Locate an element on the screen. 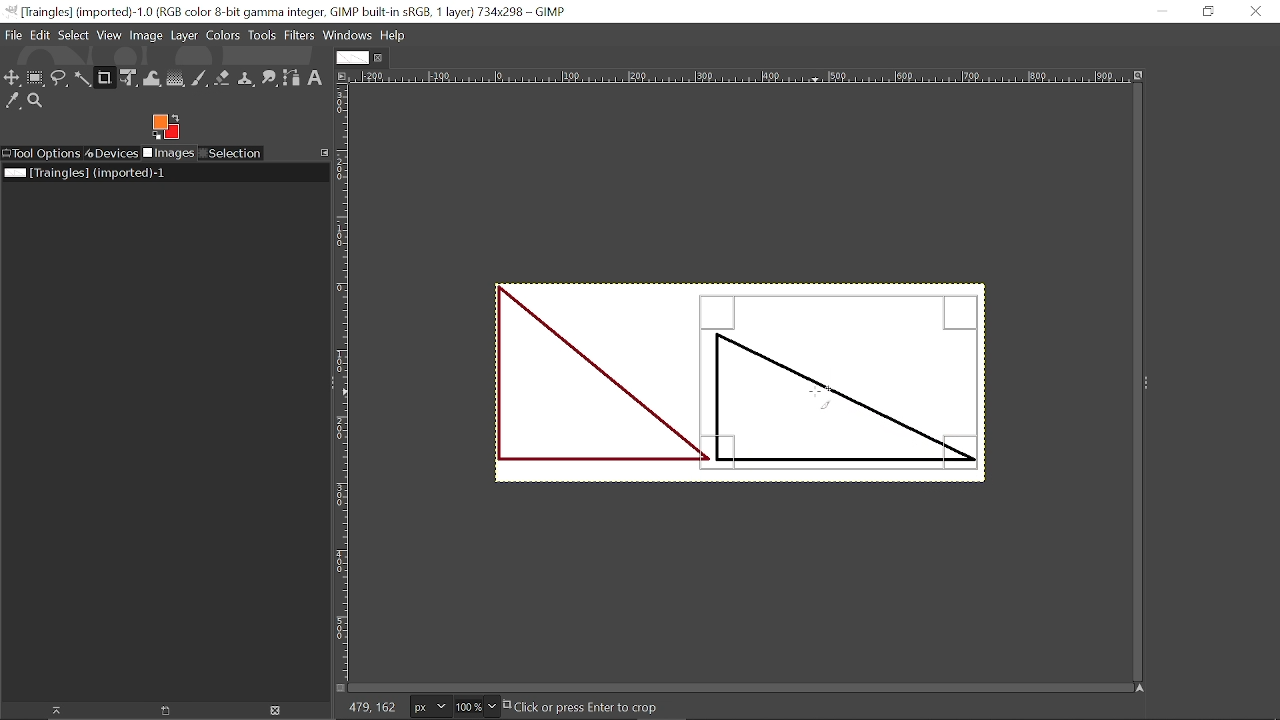 This screenshot has height=720, width=1280. Close is located at coordinates (1256, 14).